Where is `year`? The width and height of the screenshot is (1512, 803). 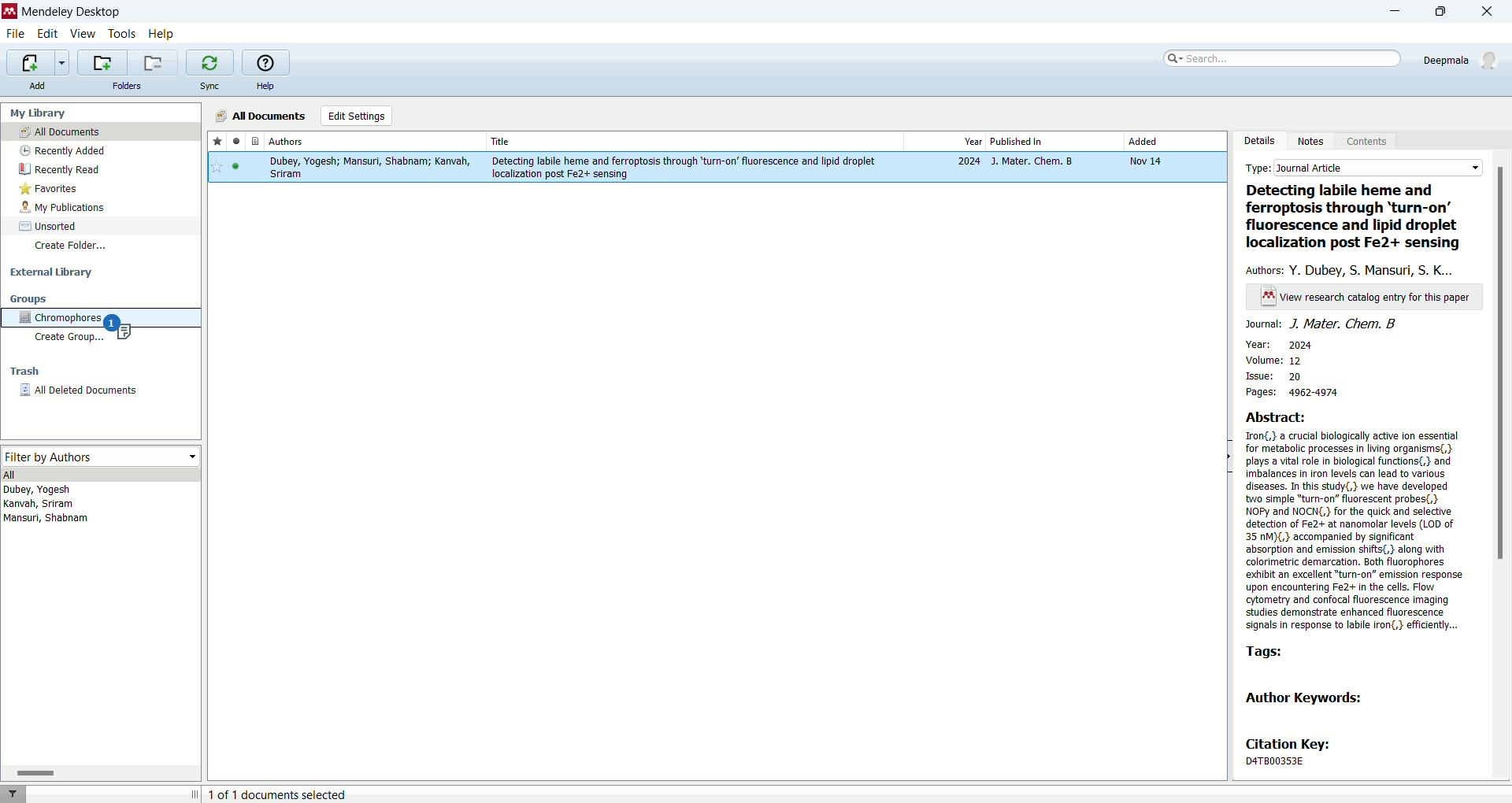 year is located at coordinates (943, 141).